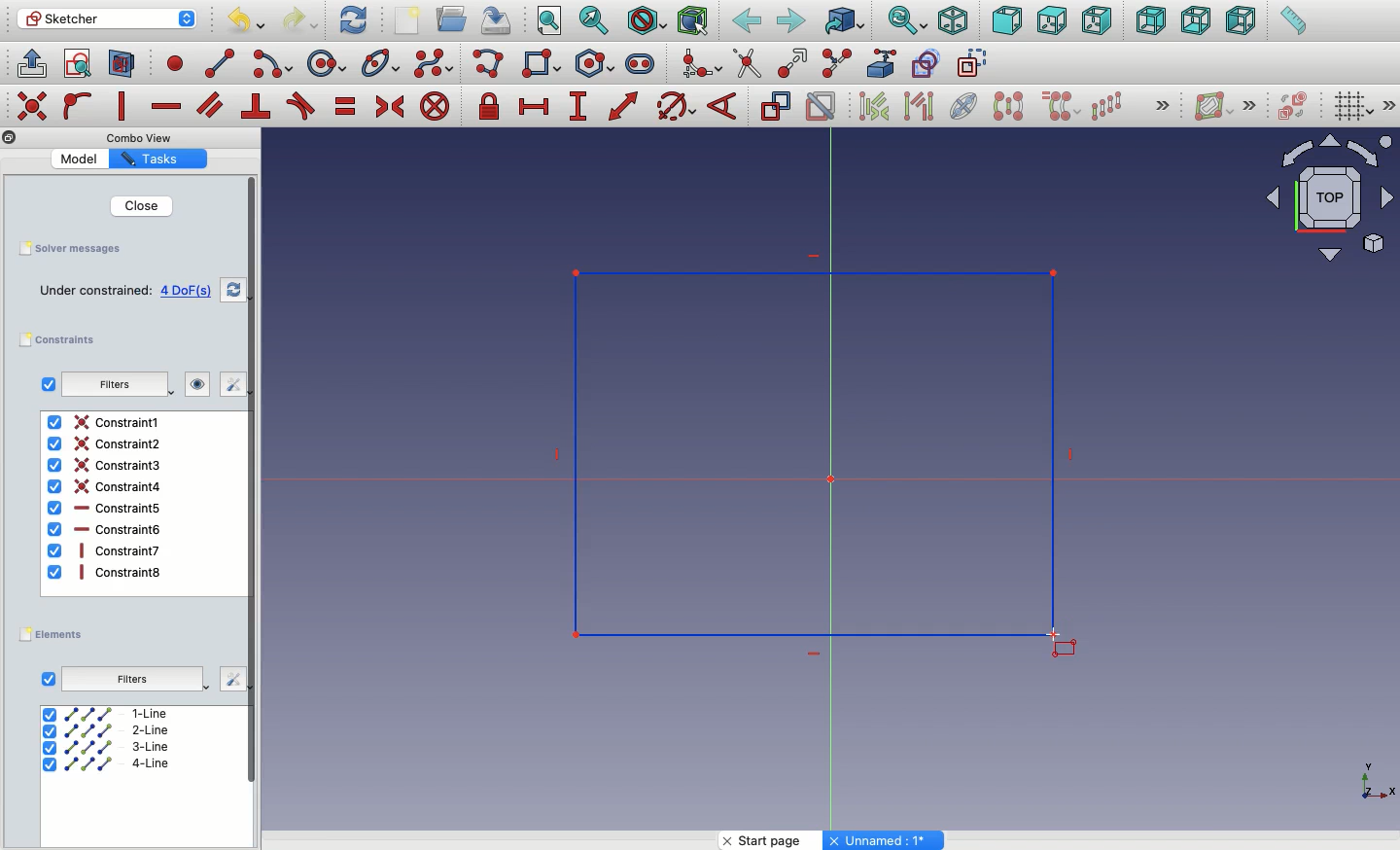 The height and width of the screenshot is (850, 1400). I want to click on point, so click(171, 62).